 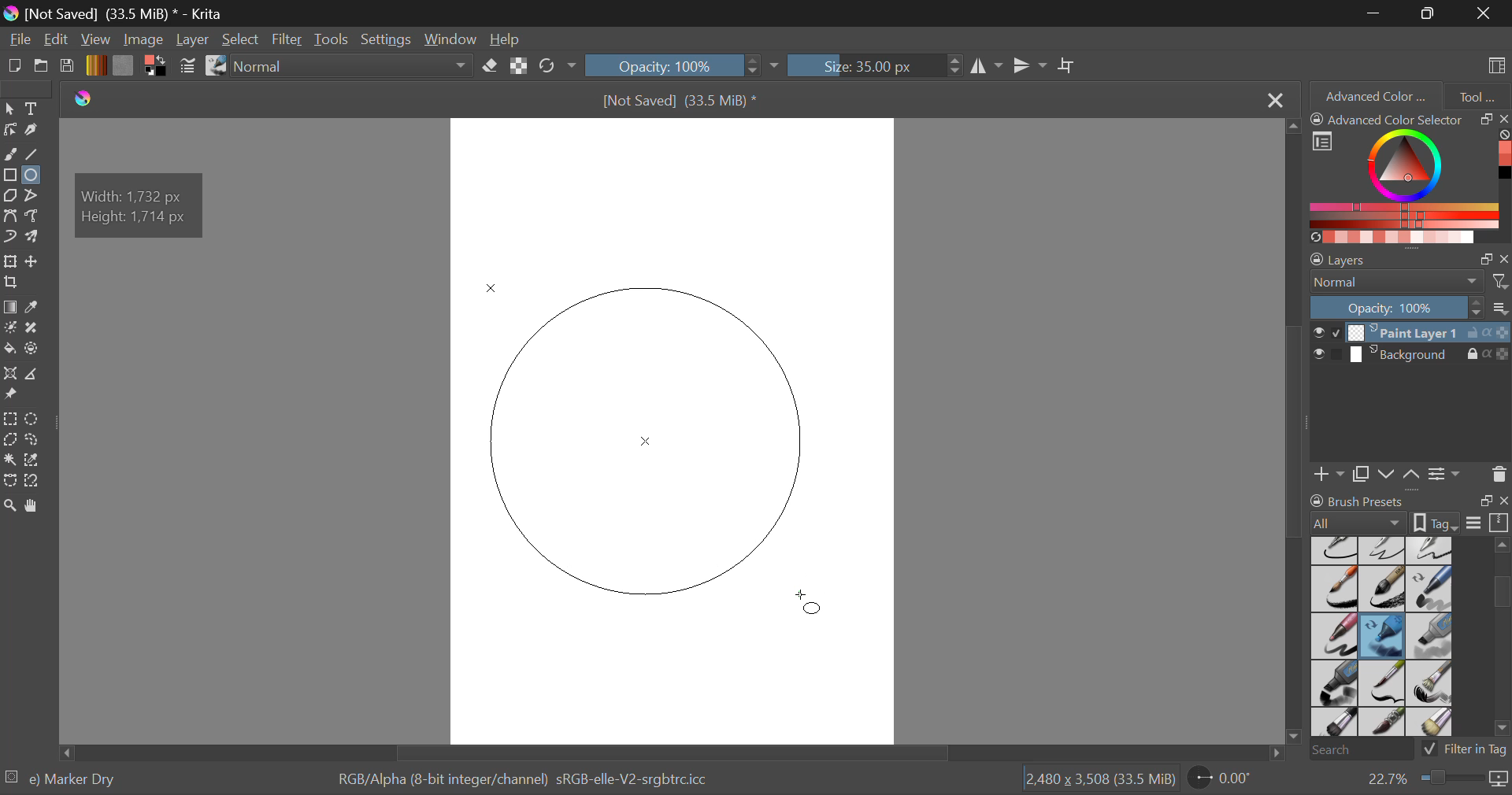 I want to click on Settings, so click(x=390, y=39).